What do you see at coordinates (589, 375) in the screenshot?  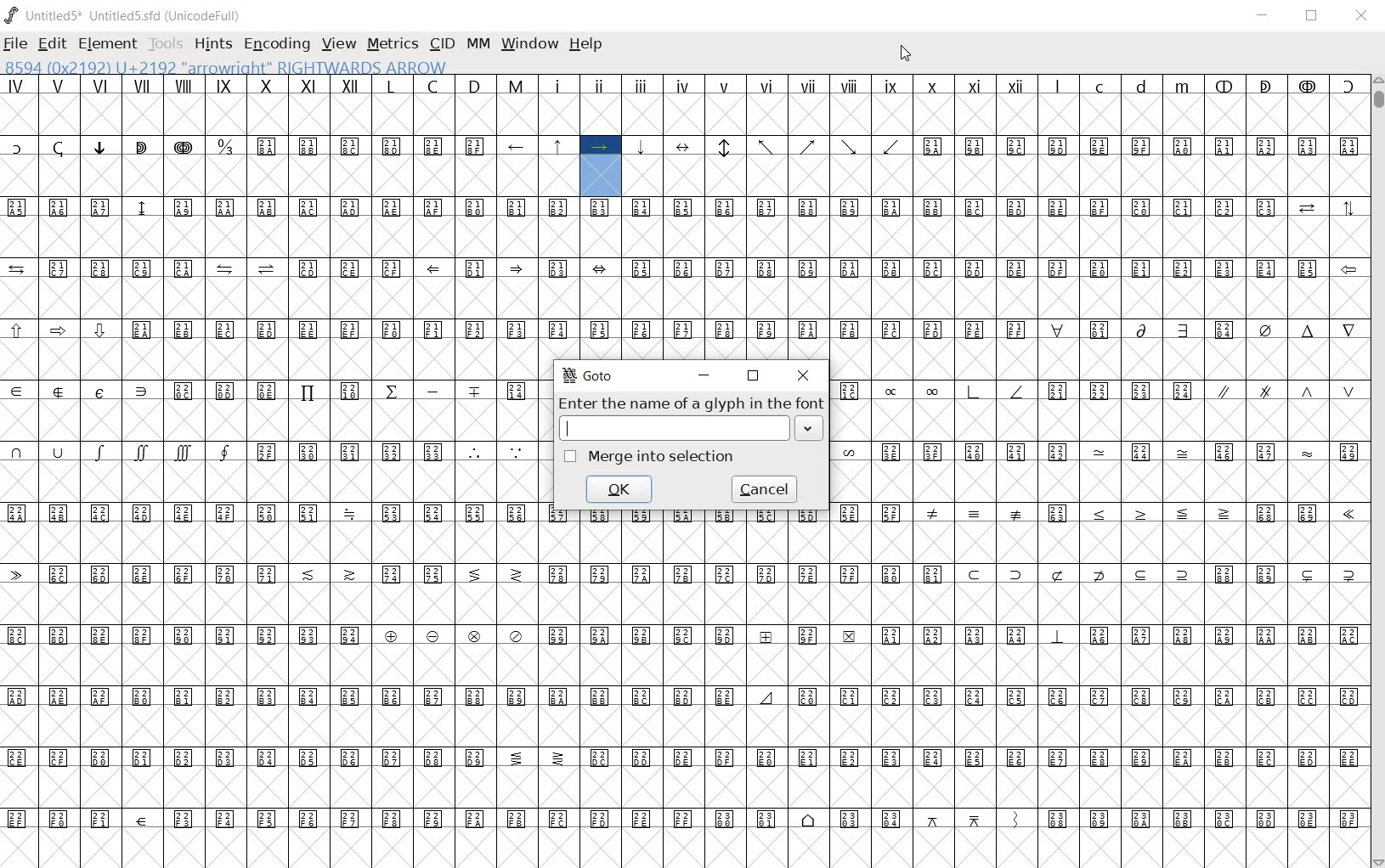 I see `GoTo` at bounding box center [589, 375].